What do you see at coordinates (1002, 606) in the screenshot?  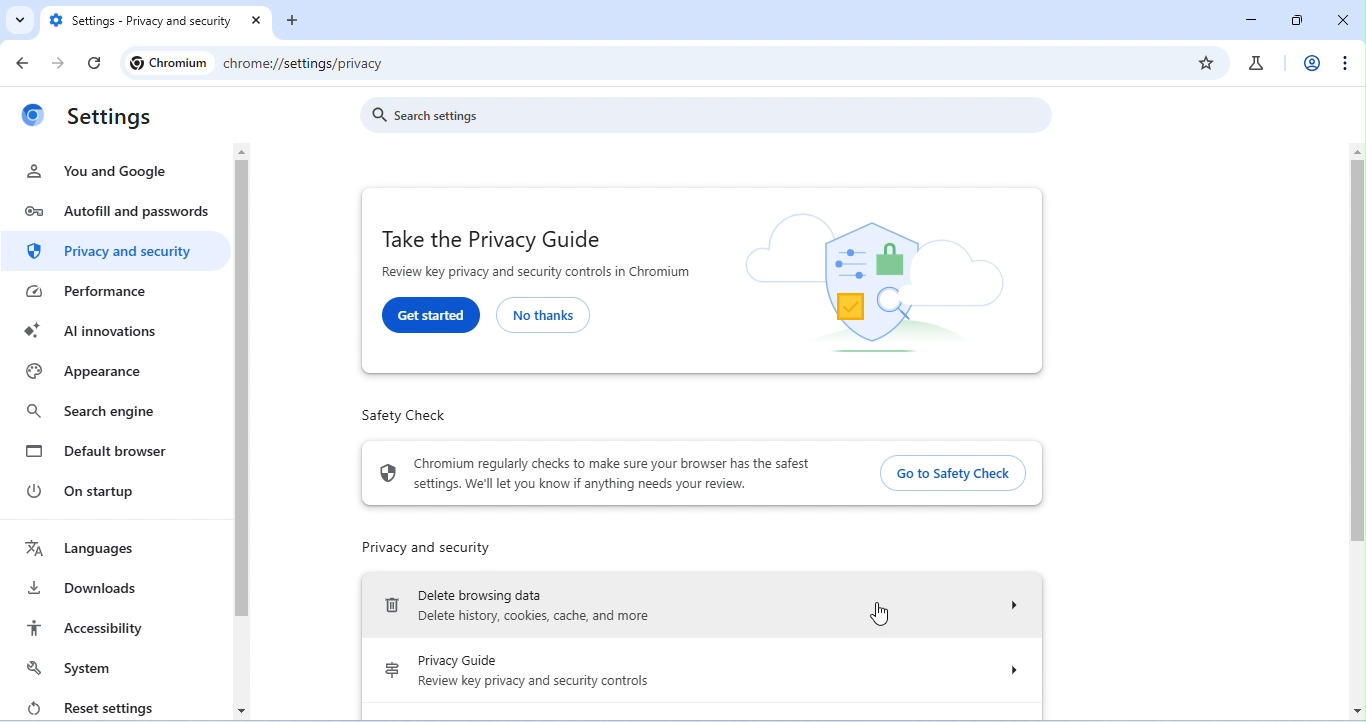 I see `drop down` at bounding box center [1002, 606].